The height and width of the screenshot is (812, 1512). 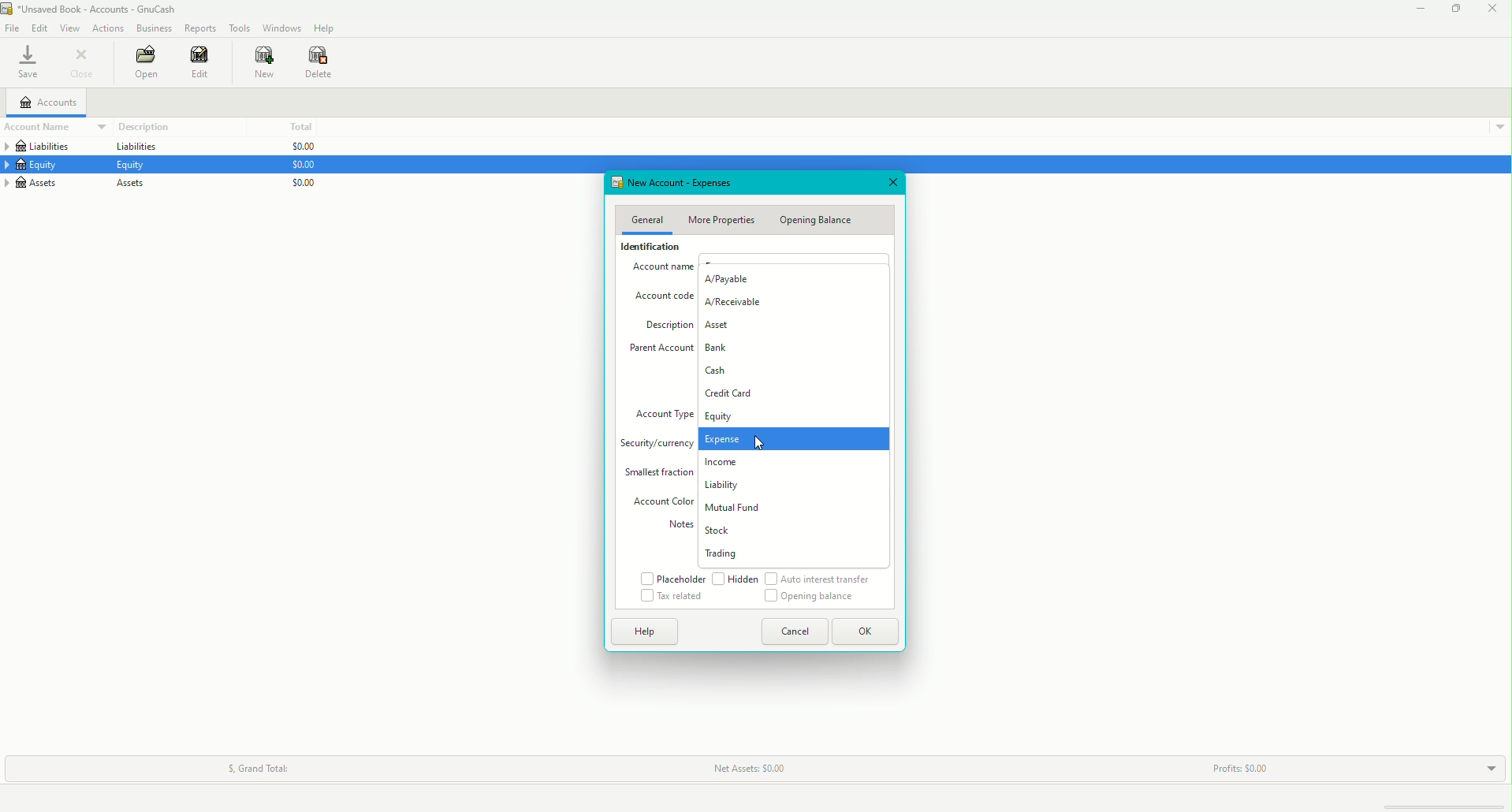 I want to click on Total, so click(x=300, y=126).